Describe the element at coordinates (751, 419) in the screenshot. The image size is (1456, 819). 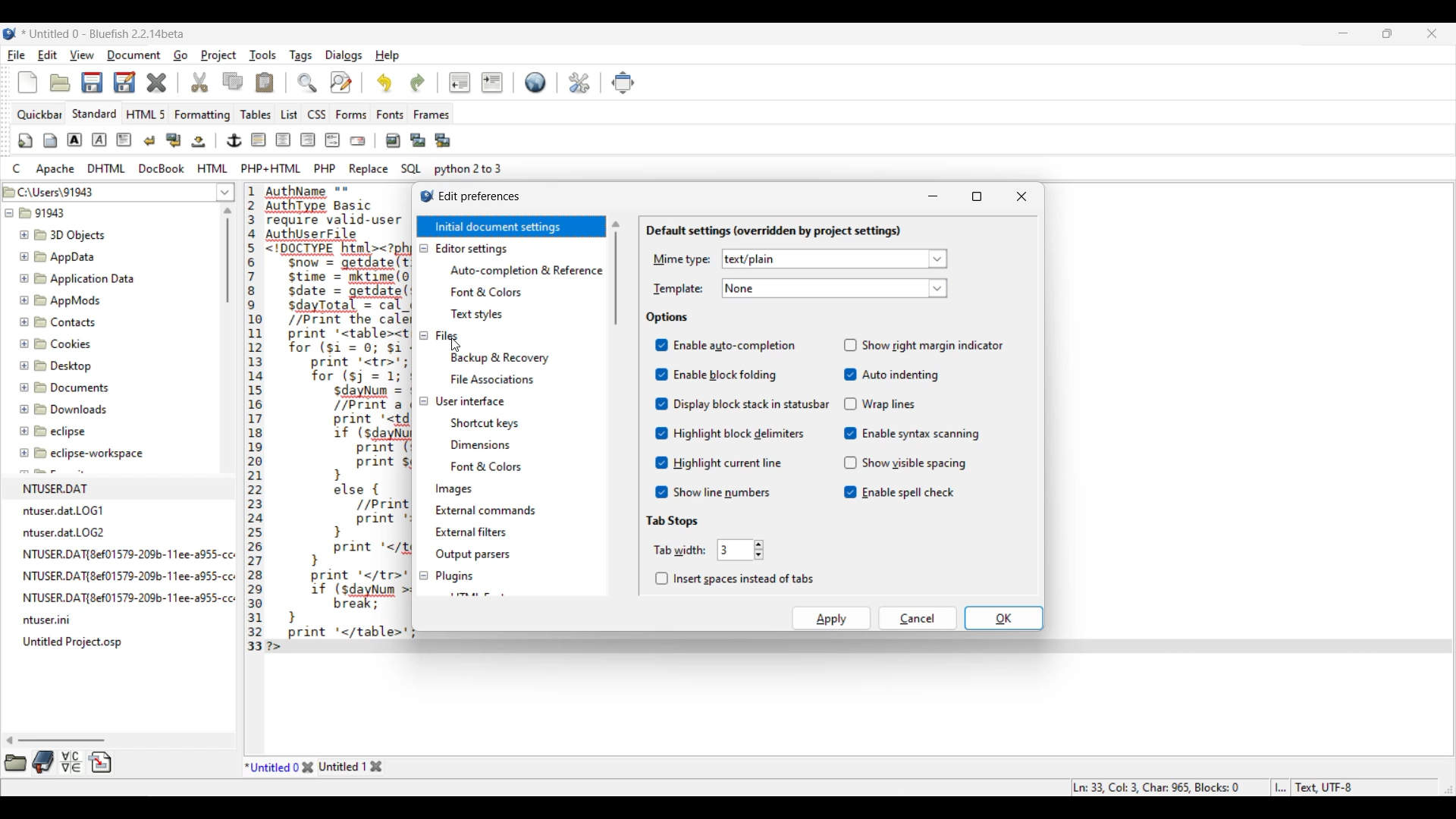
I see `Toggle settings` at that location.